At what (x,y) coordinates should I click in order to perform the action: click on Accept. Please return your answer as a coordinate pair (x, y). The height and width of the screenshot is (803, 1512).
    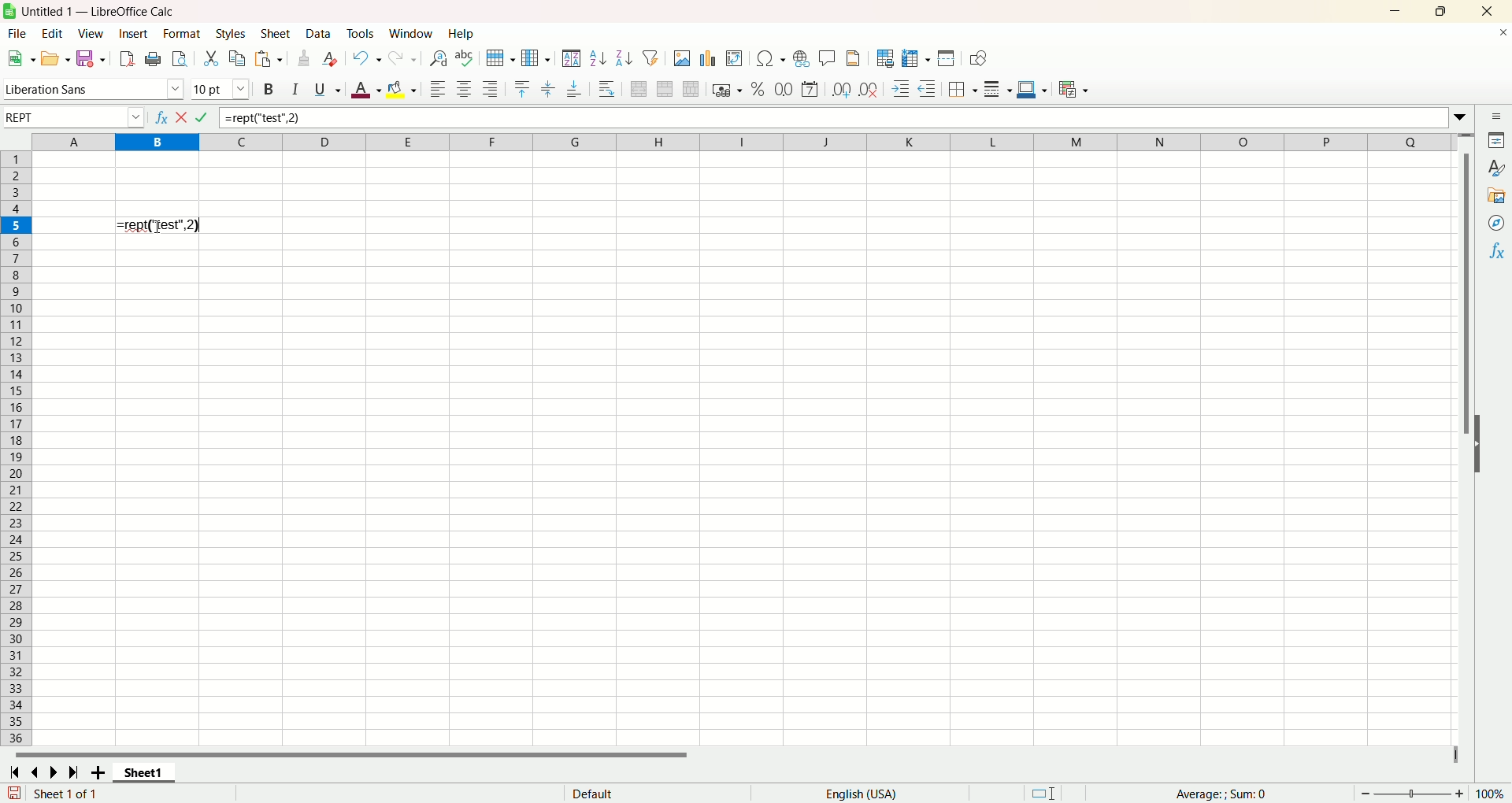
    Looking at the image, I should click on (201, 118).